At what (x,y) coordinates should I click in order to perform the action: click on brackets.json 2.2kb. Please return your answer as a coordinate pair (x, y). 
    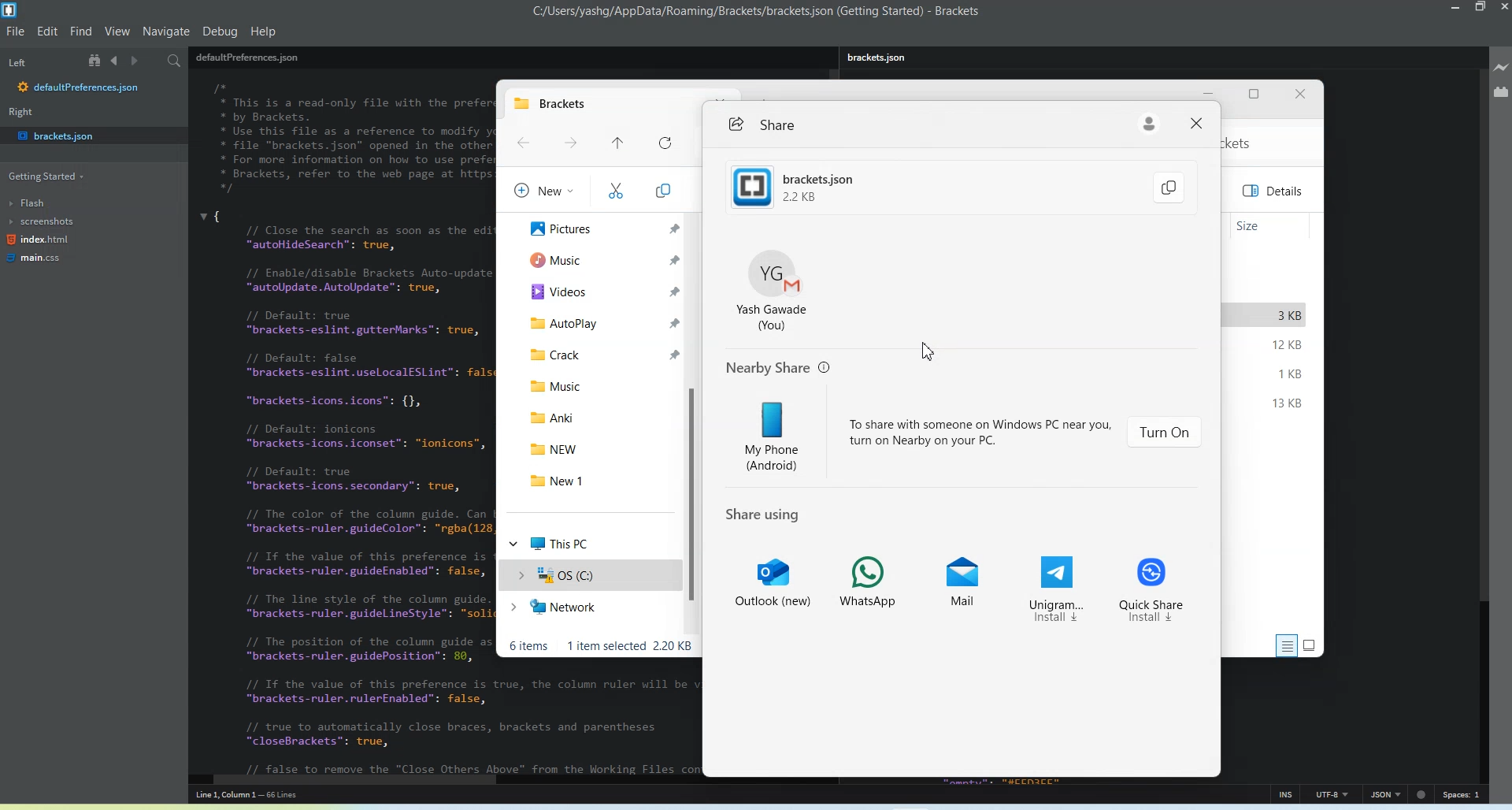
    Looking at the image, I should click on (917, 187).